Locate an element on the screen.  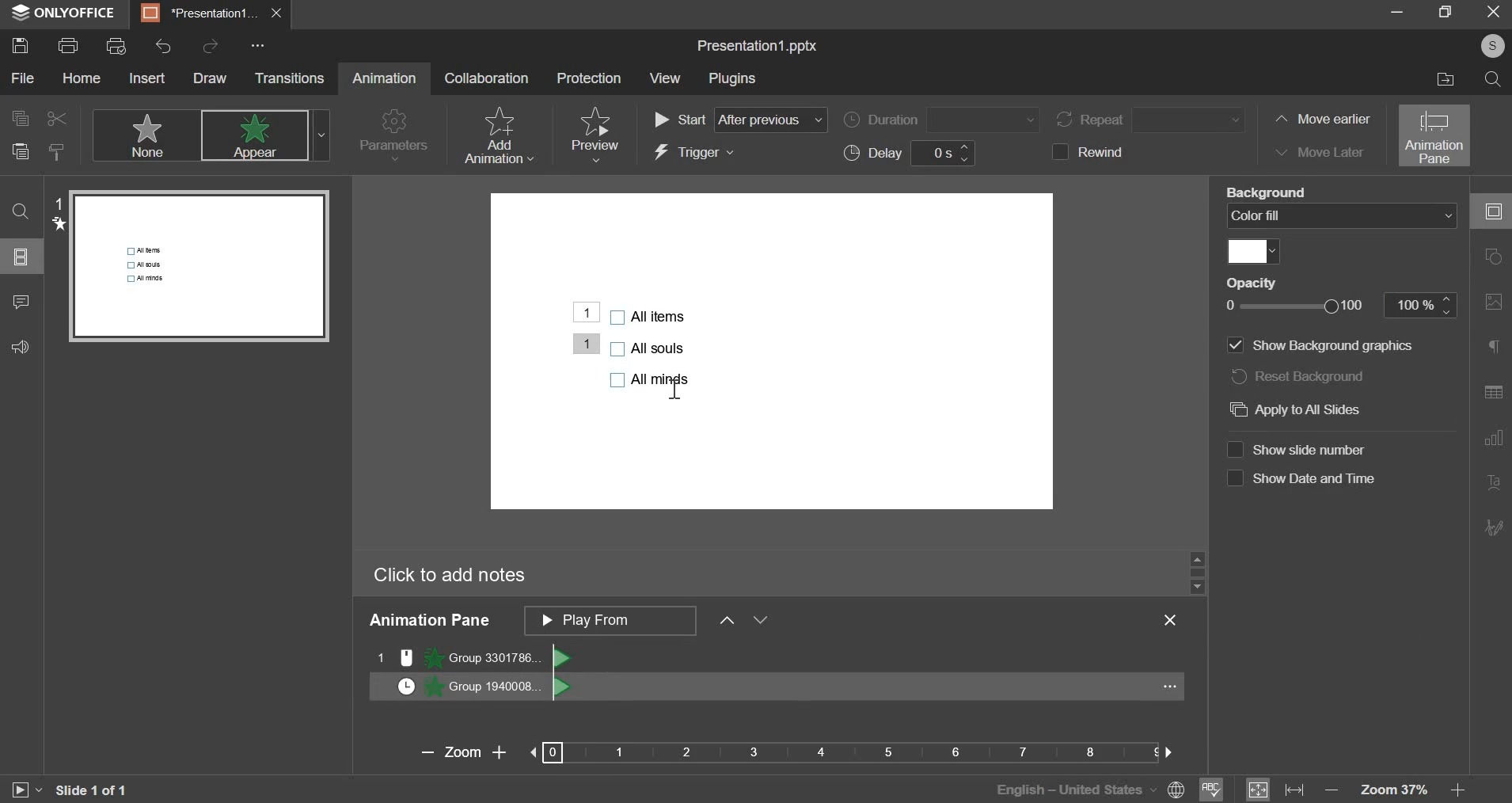
opacity slider is located at coordinates (1334, 305).